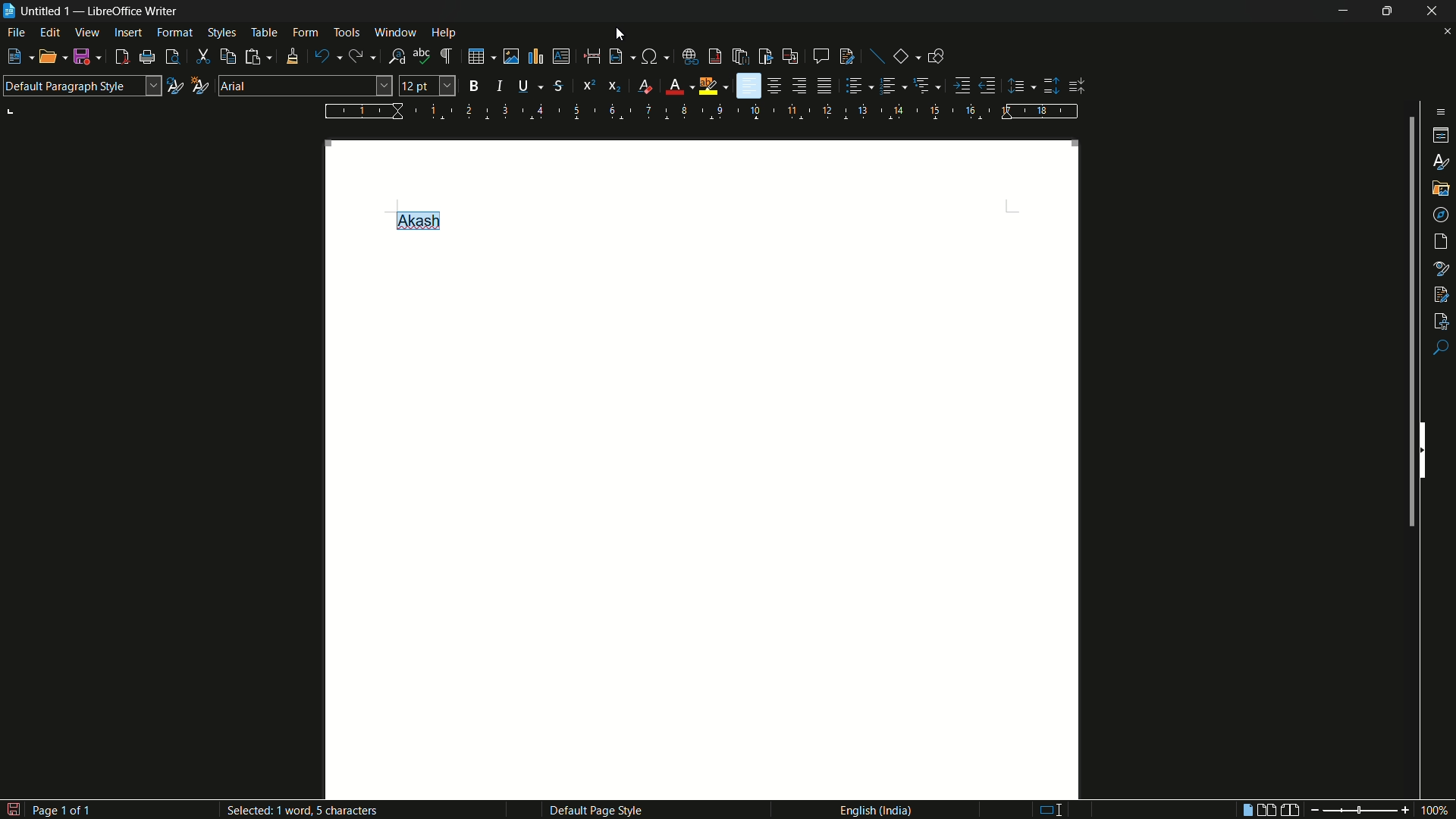 This screenshot has width=1456, height=819. What do you see at coordinates (595, 810) in the screenshot?
I see `page style` at bounding box center [595, 810].